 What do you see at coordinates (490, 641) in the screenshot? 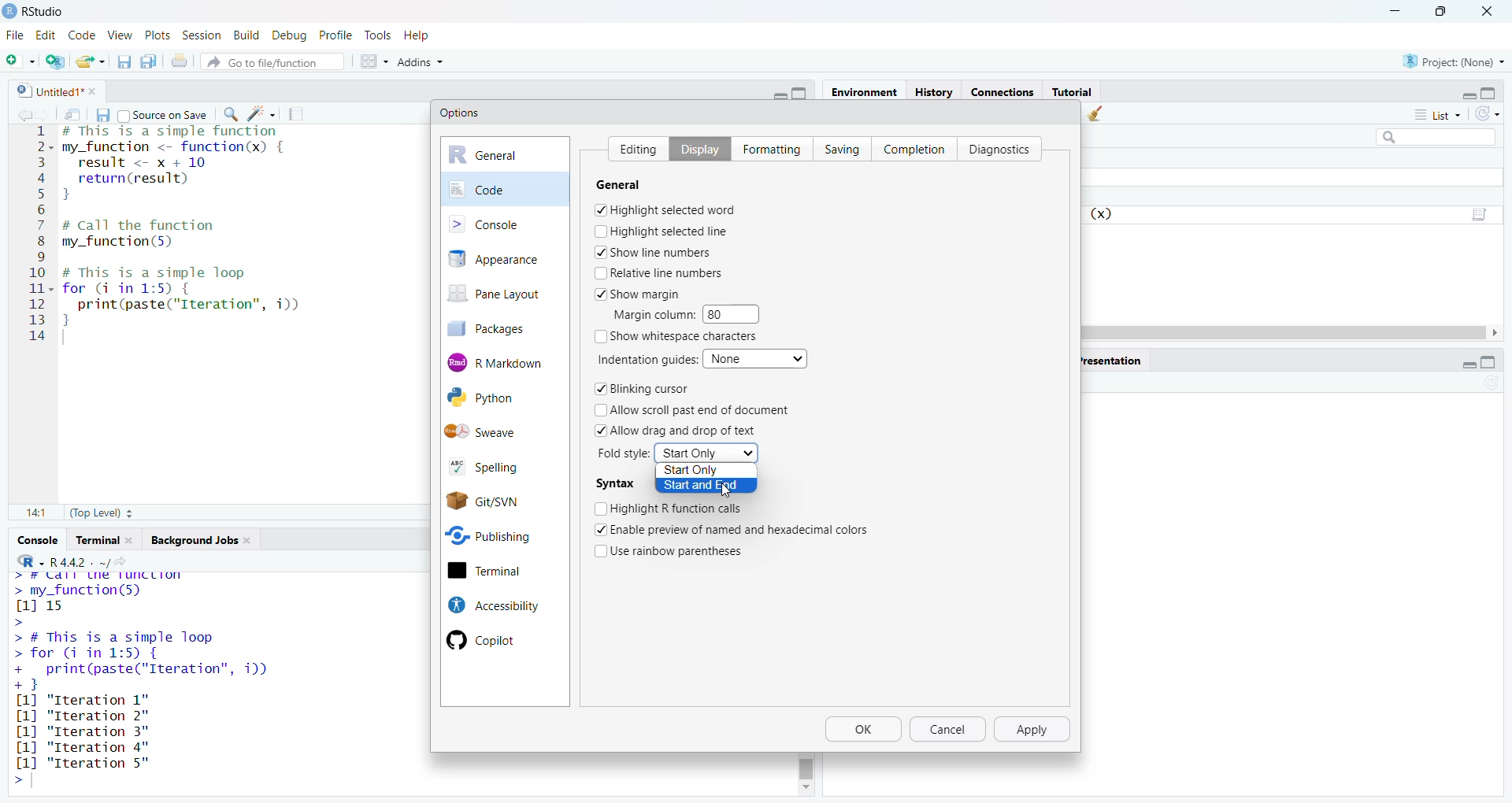
I see `Copilot` at bounding box center [490, 641].